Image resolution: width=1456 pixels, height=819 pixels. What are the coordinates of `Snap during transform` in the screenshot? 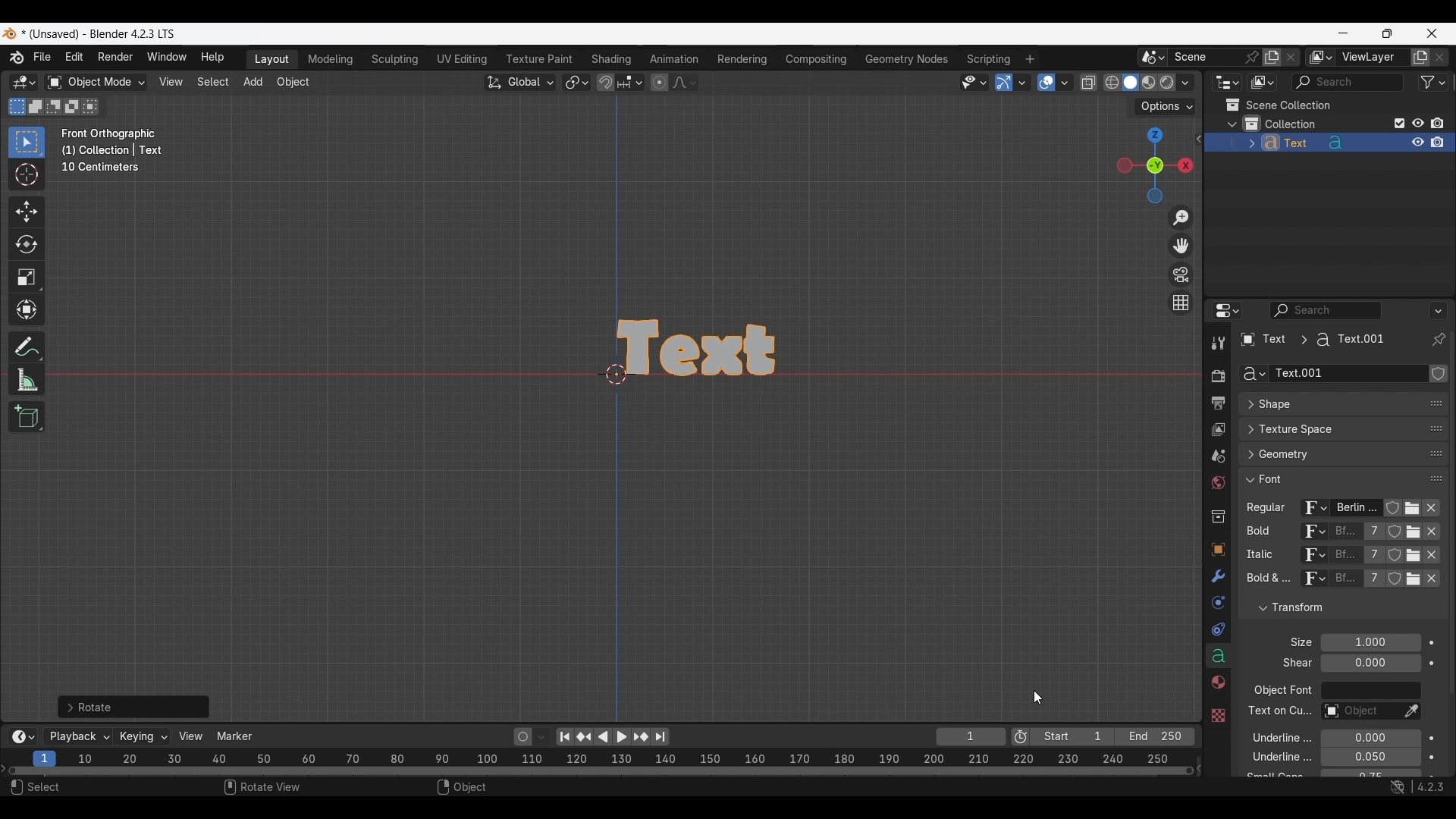 It's located at (606, 82).